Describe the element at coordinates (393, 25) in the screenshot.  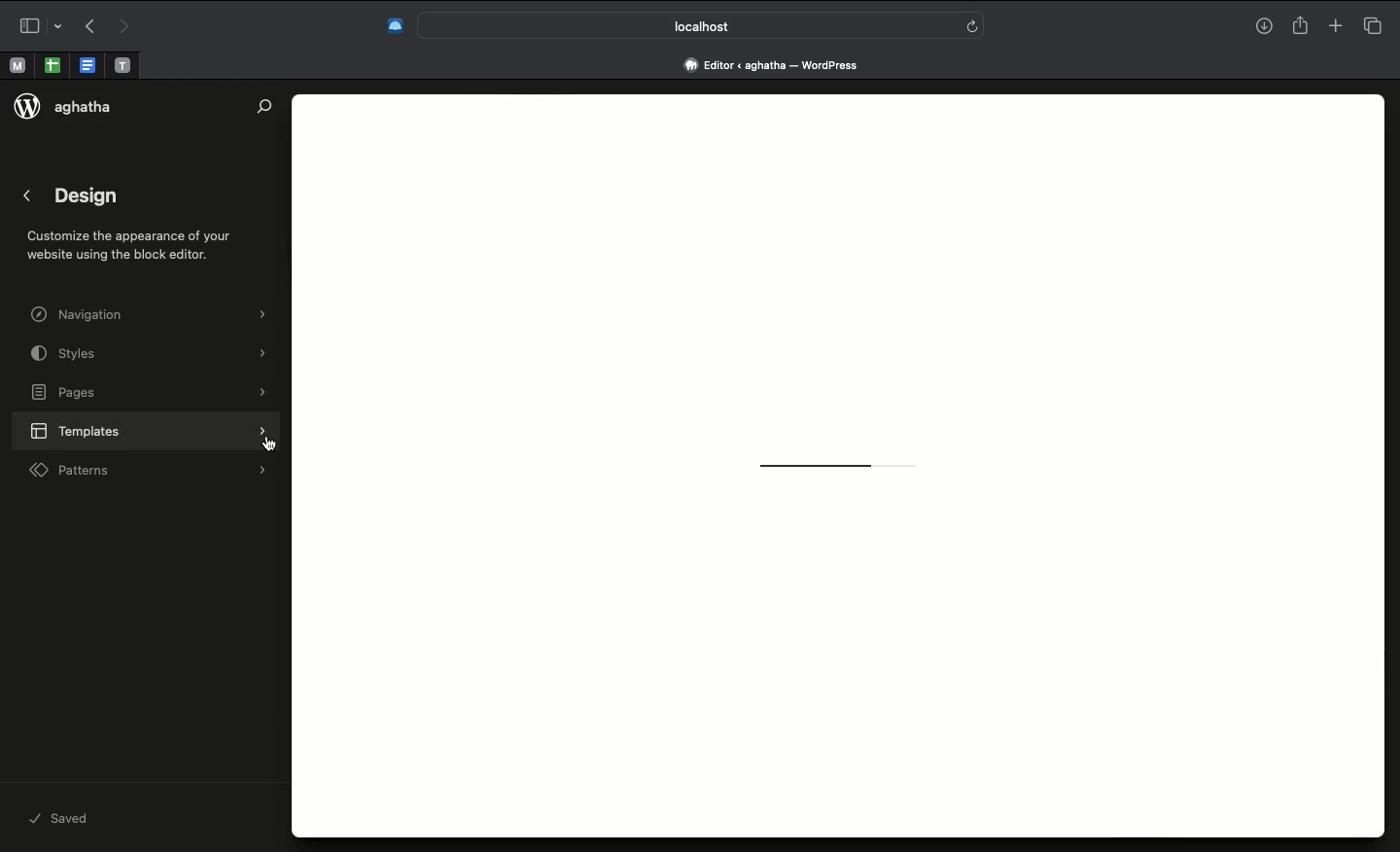
I see `Extensions` at that location.